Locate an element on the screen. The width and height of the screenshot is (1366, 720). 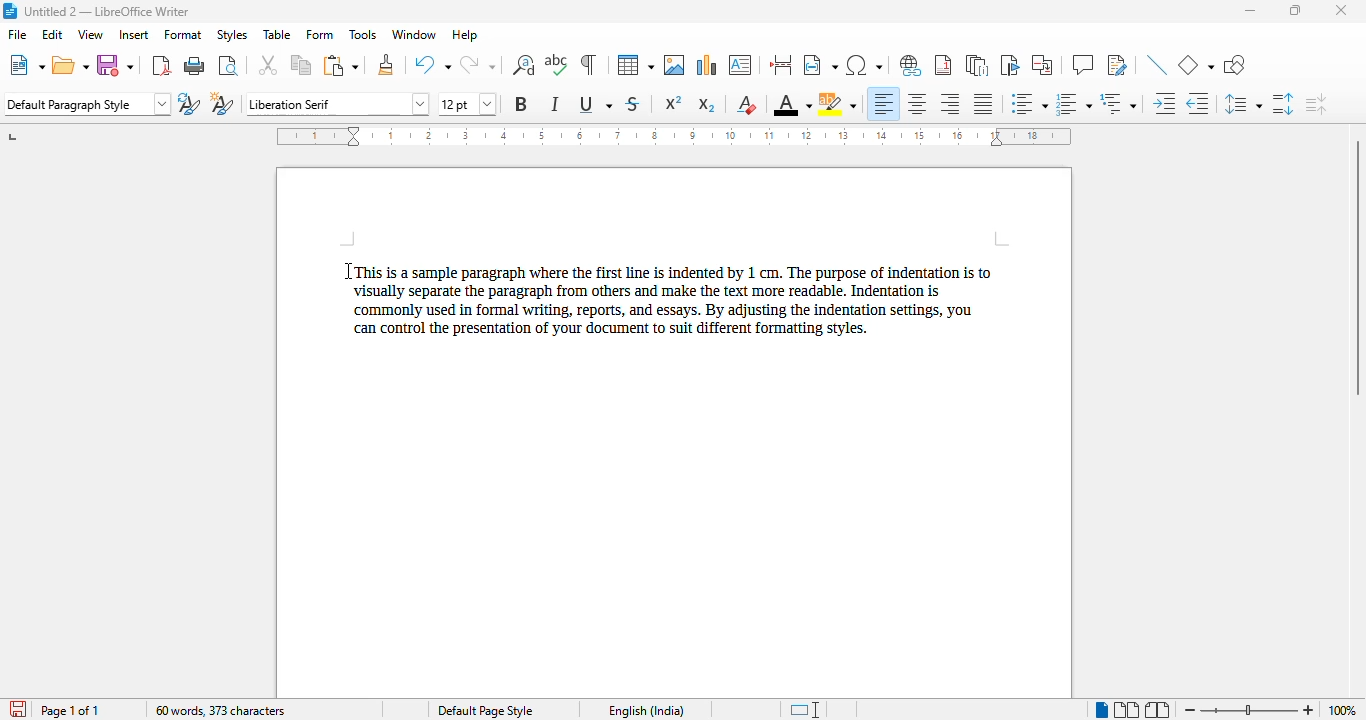
zoom in is located at coordinates (1309, 711).